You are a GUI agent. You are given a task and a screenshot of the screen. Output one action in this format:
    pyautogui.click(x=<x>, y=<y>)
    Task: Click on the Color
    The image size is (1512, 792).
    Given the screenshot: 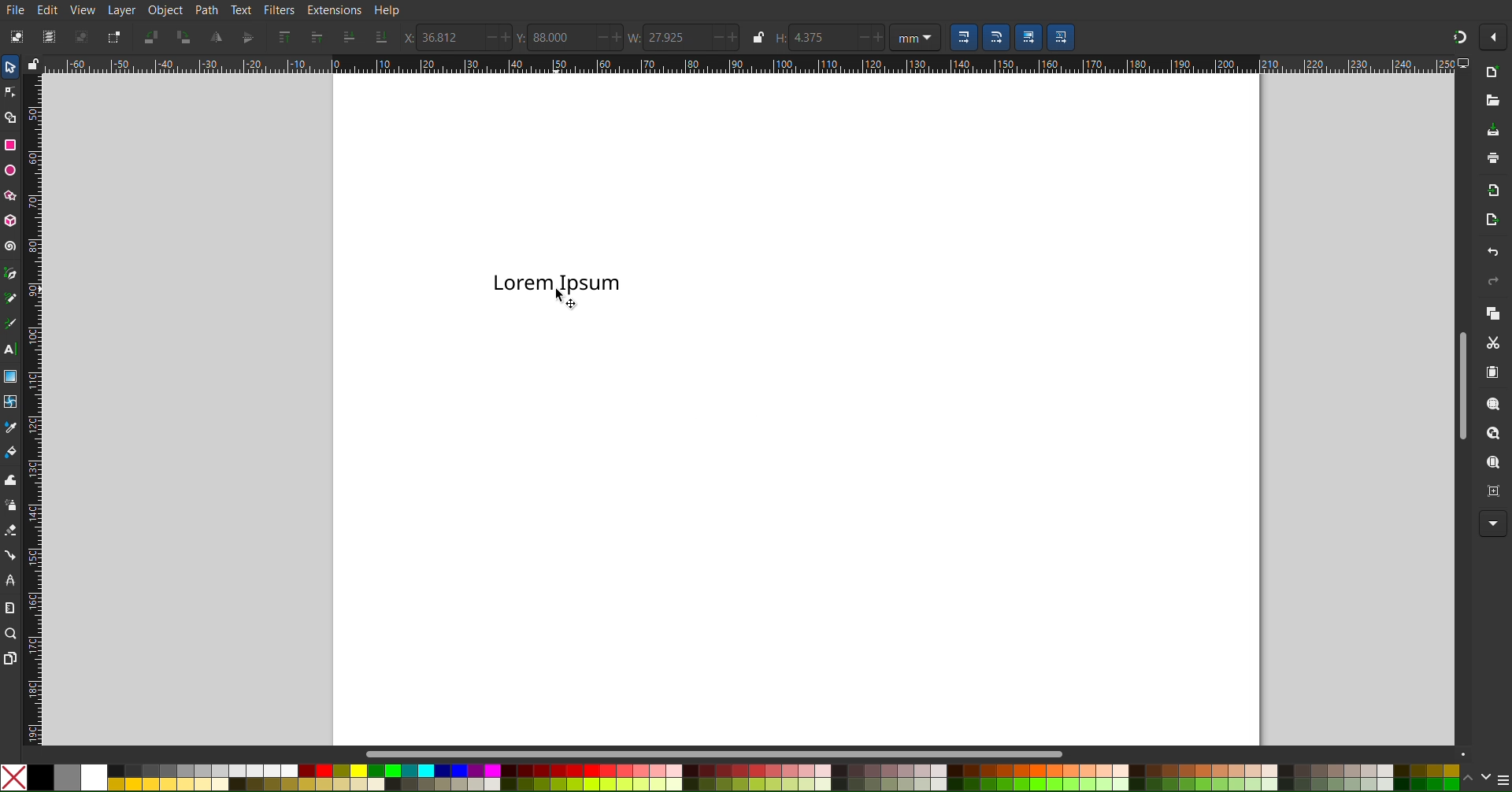 What is the action you would take?
    pyautogui.click(x=729, y=778)
    